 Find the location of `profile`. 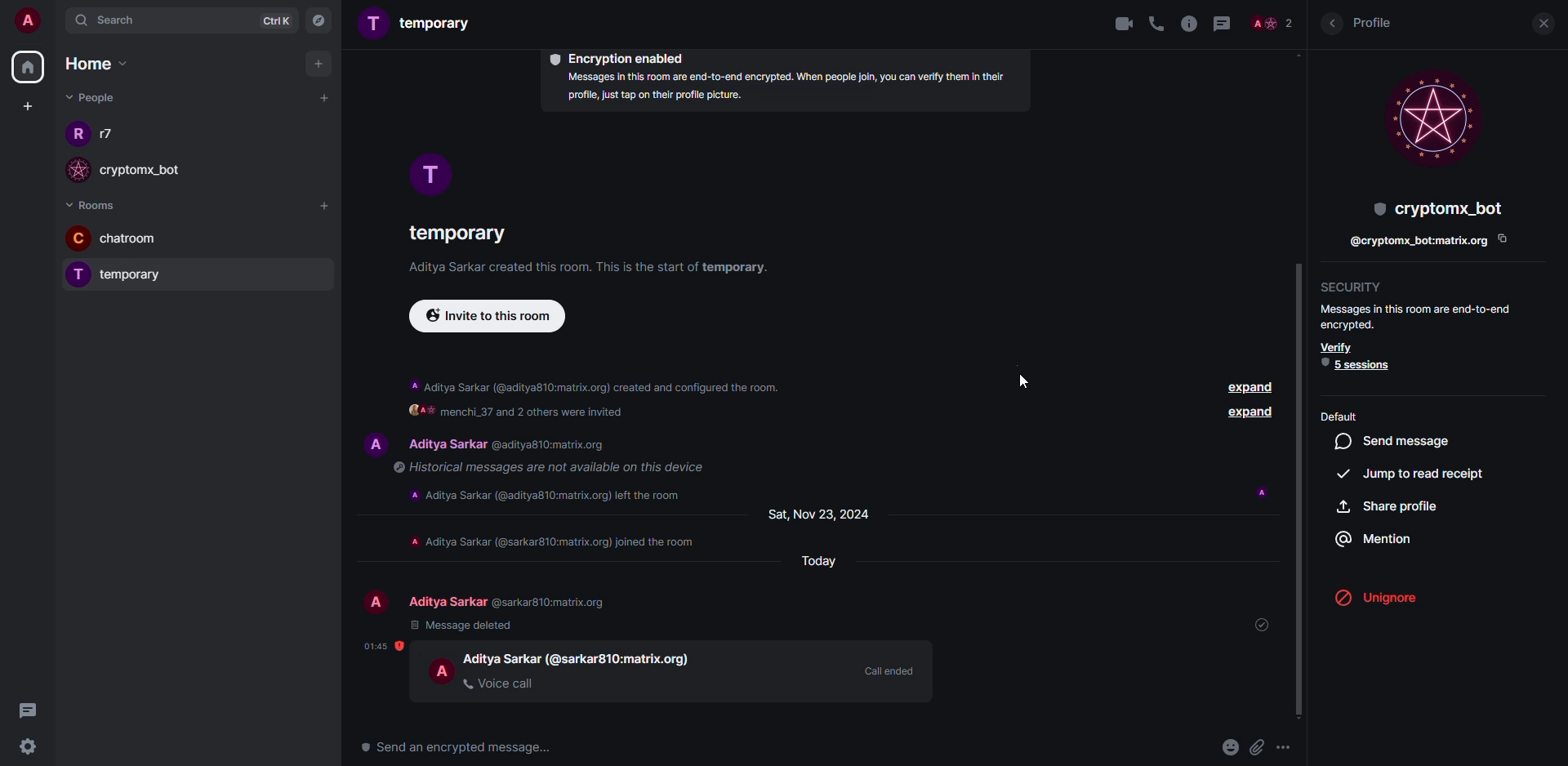

profile is located at coordinates (1432, 117).